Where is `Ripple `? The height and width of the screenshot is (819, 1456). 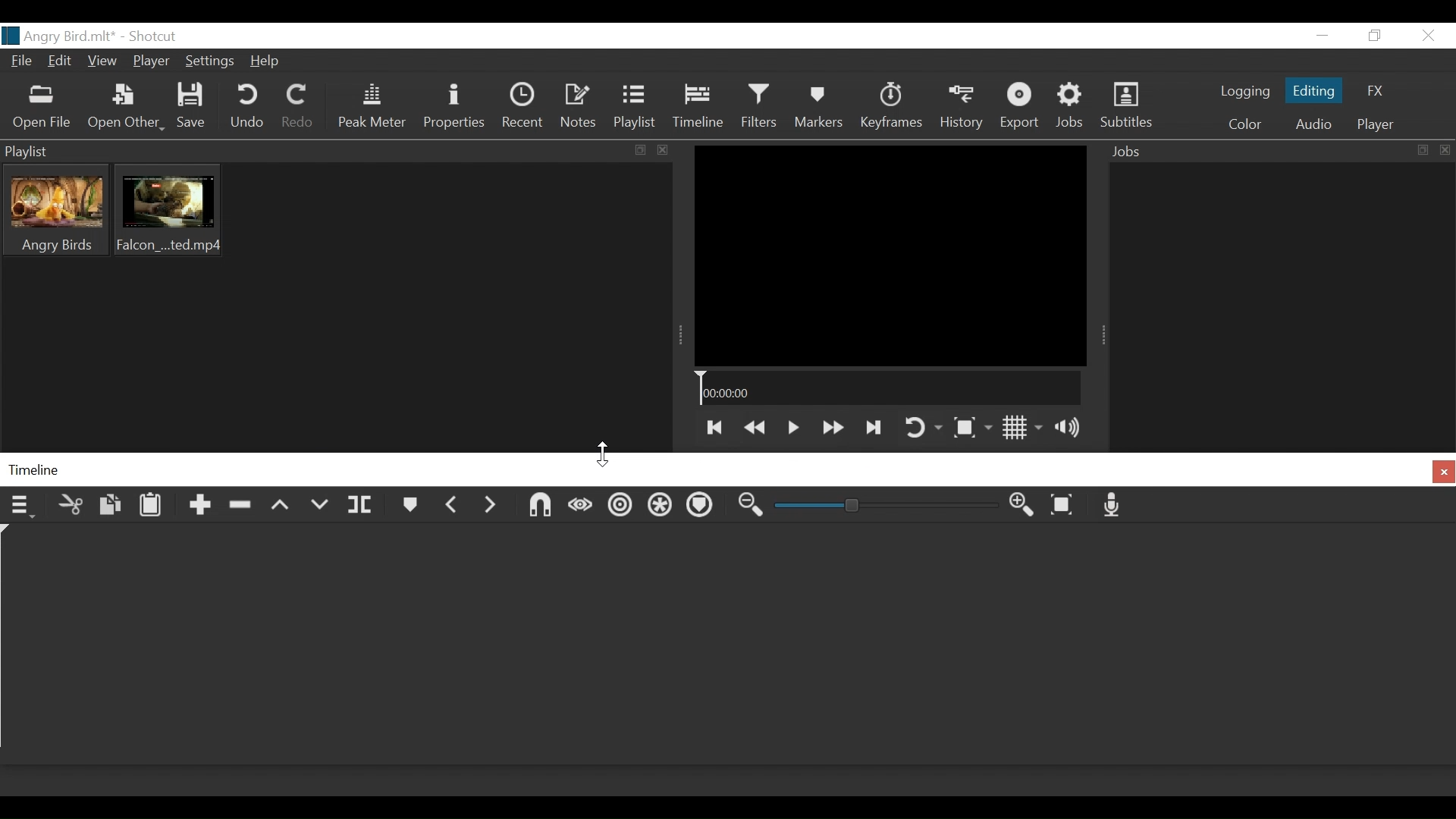 Ripple  is located at coordinates (620, 507).